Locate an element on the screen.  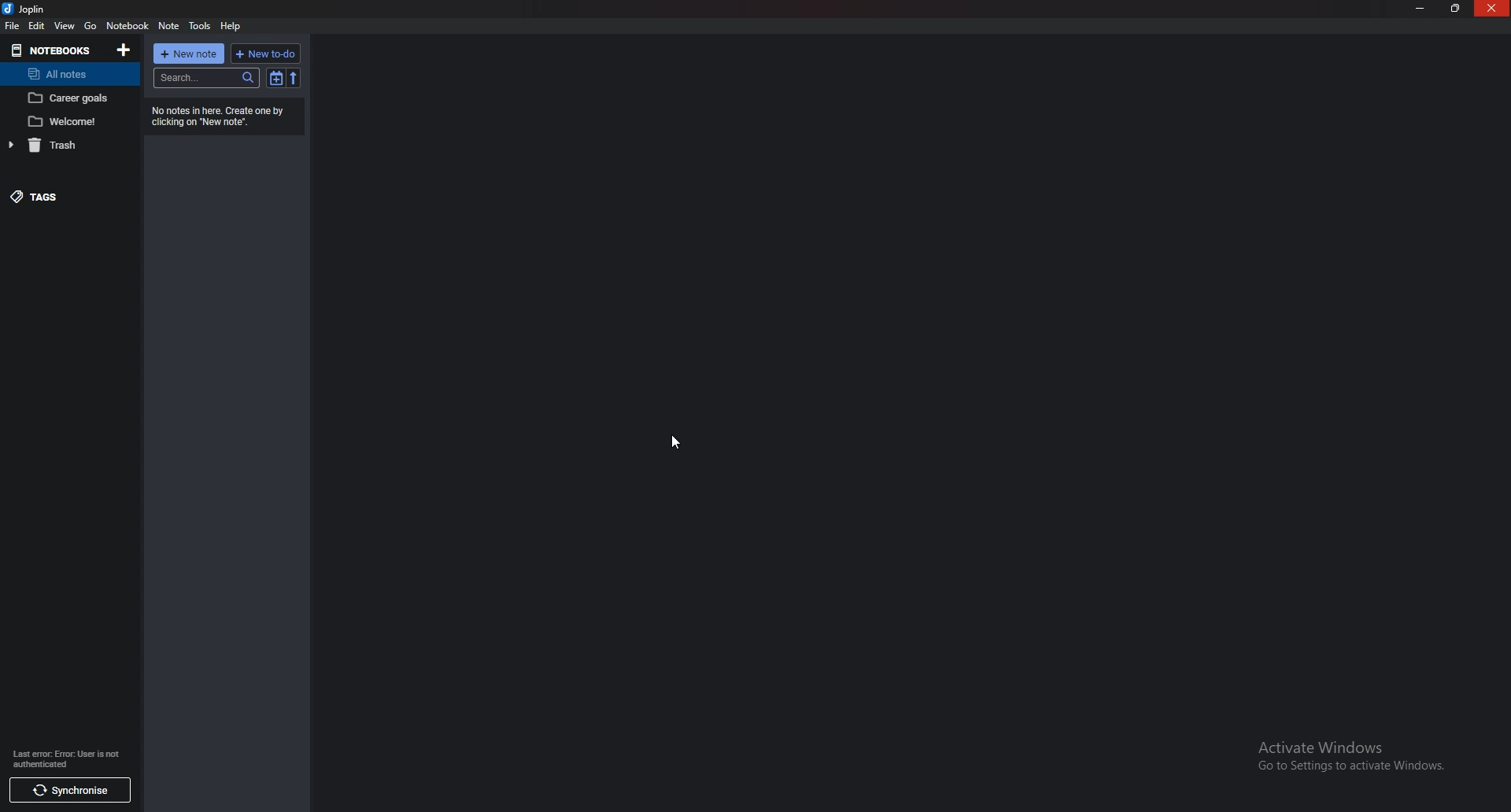
new todo is located at coordinates (267, 54).